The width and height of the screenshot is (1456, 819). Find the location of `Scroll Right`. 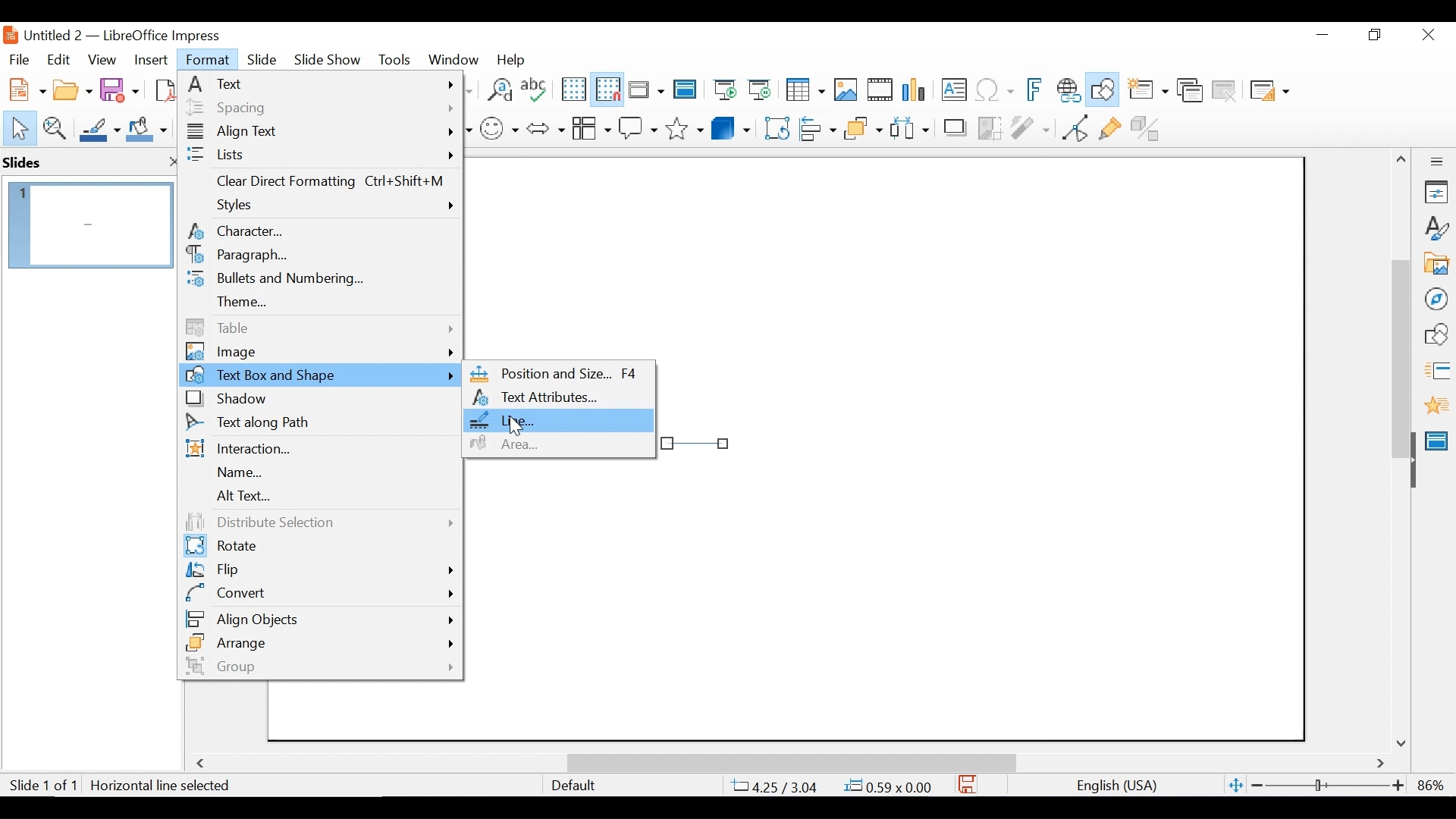

Scroll Right is located at coordinates (1381, 764).